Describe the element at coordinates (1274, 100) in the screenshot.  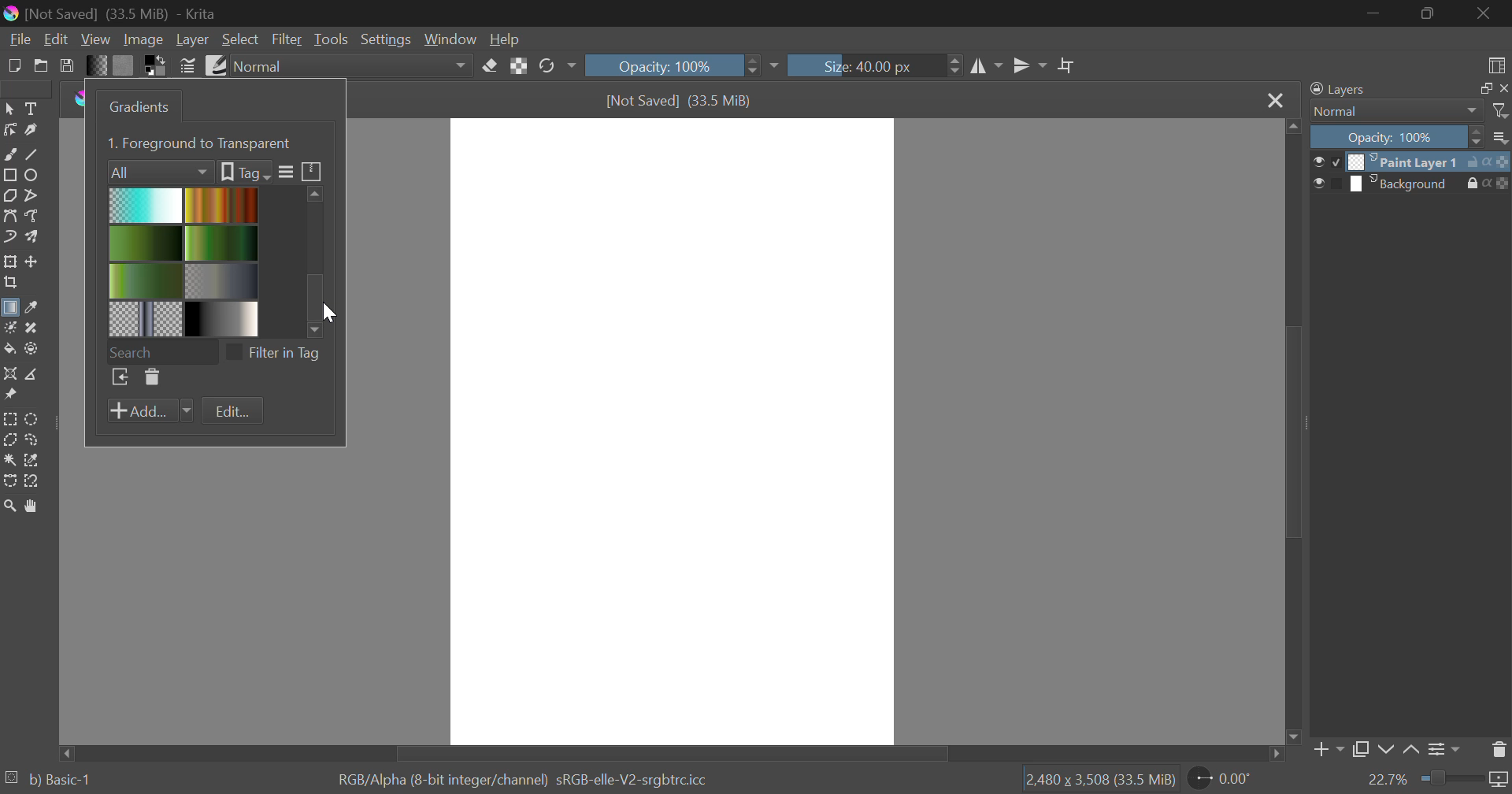
I see `Close` at that location.